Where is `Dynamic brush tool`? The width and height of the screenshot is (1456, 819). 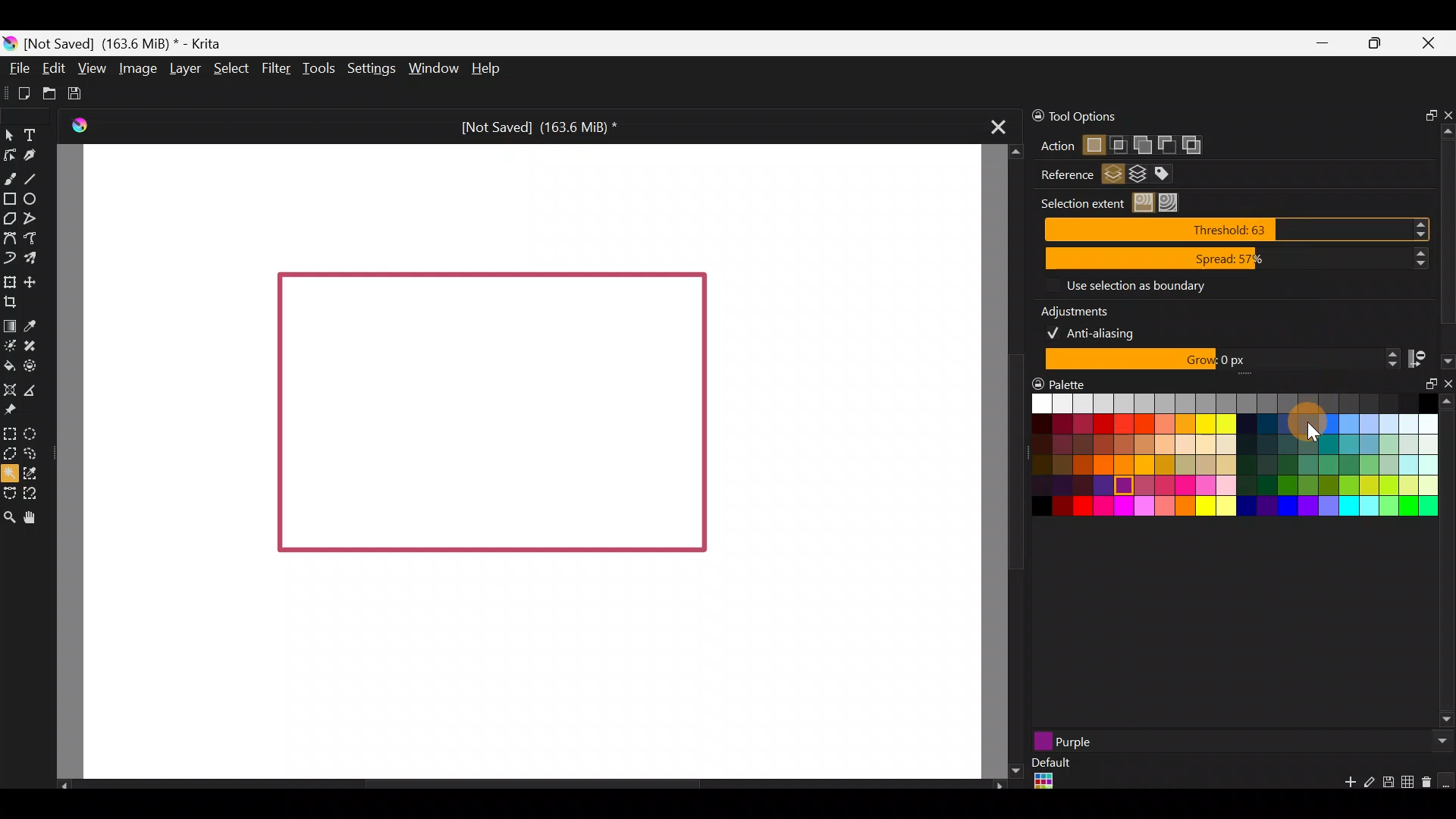
Dynamic brush tool is located at coordinates (9, 257).